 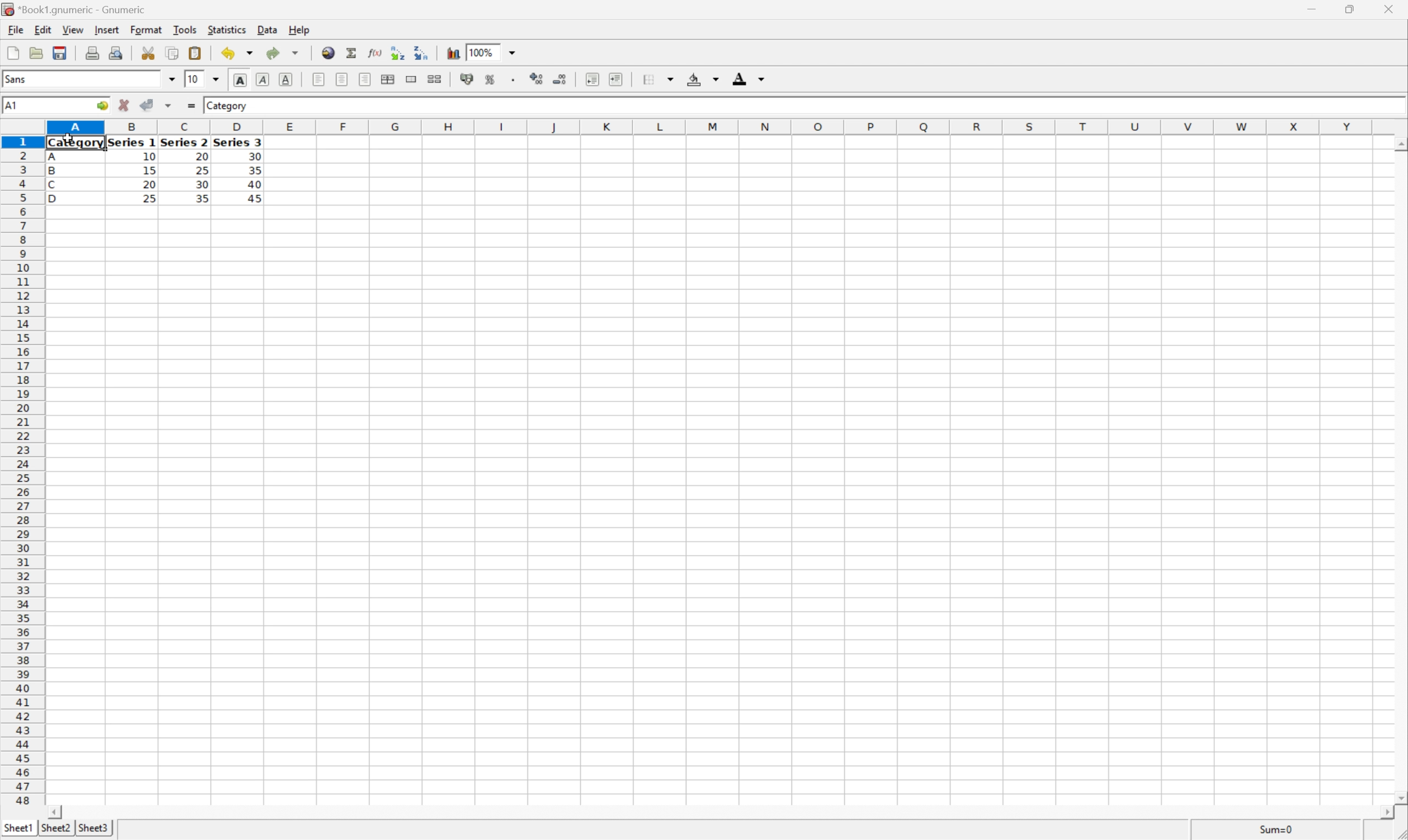 I want to click on D, so click(x=58, y=199).